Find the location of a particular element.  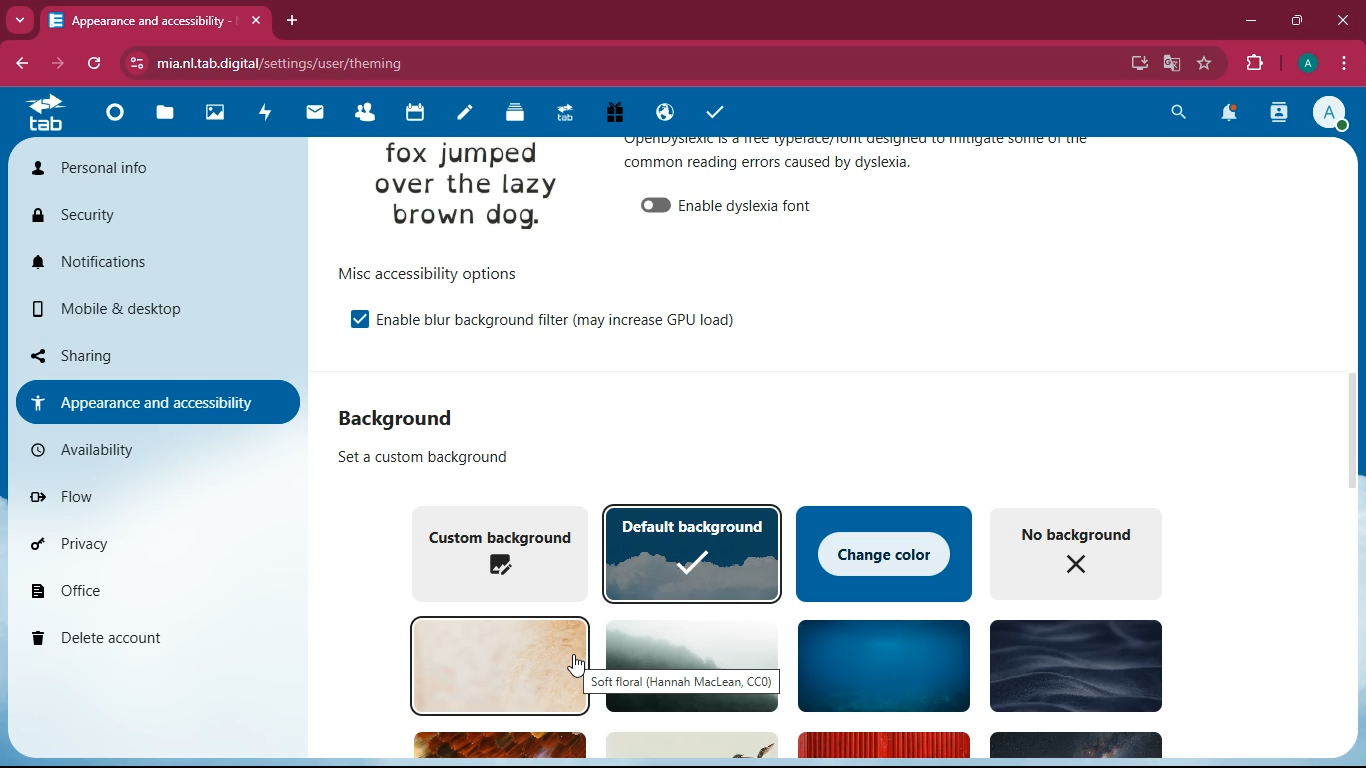

privacy is located at coordinates (148, 545).